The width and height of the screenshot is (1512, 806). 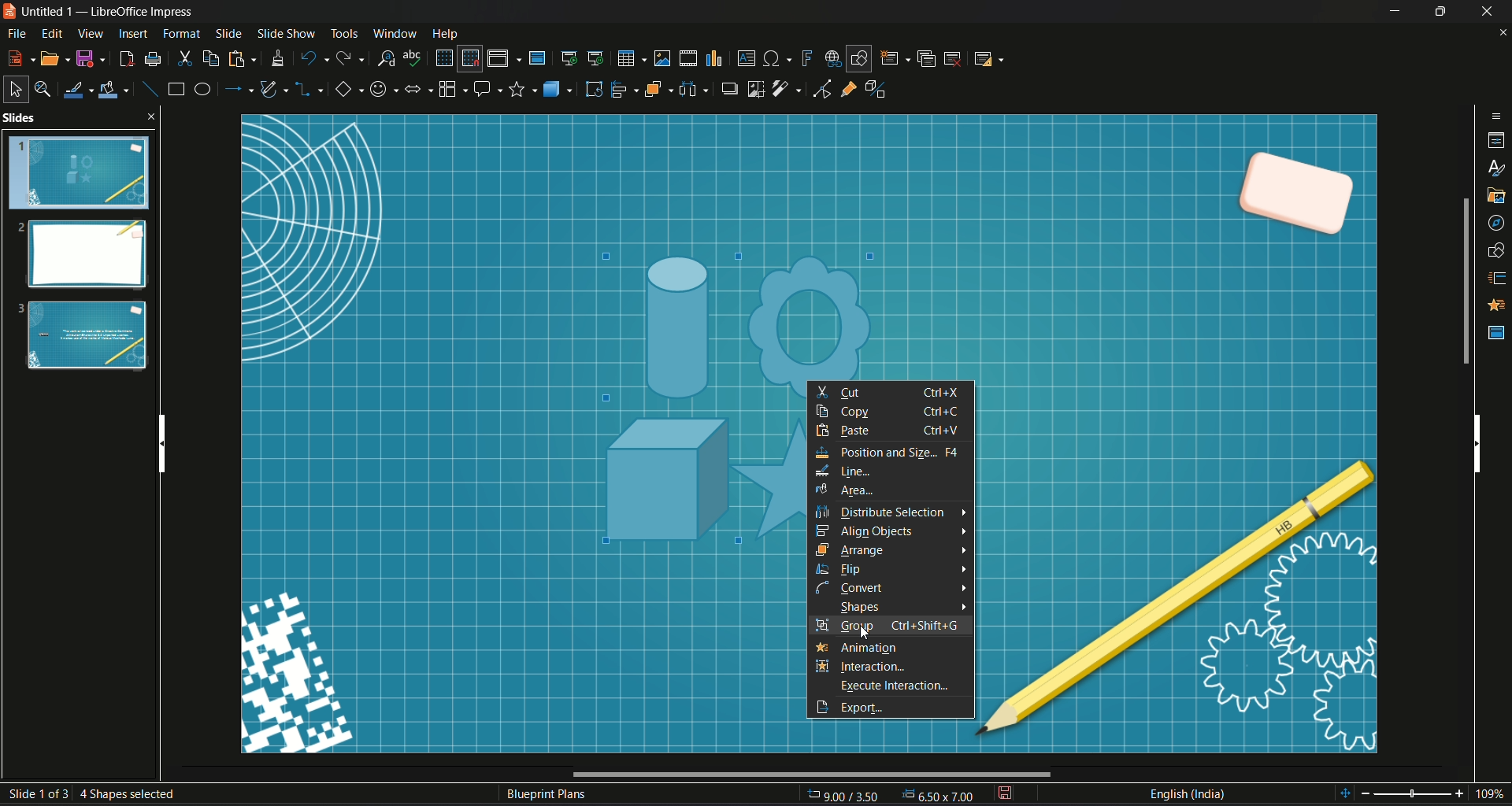 What do you see at coordinates (185, 59) in the screenshot?
I see `cut` at bounding box center [185, 59].